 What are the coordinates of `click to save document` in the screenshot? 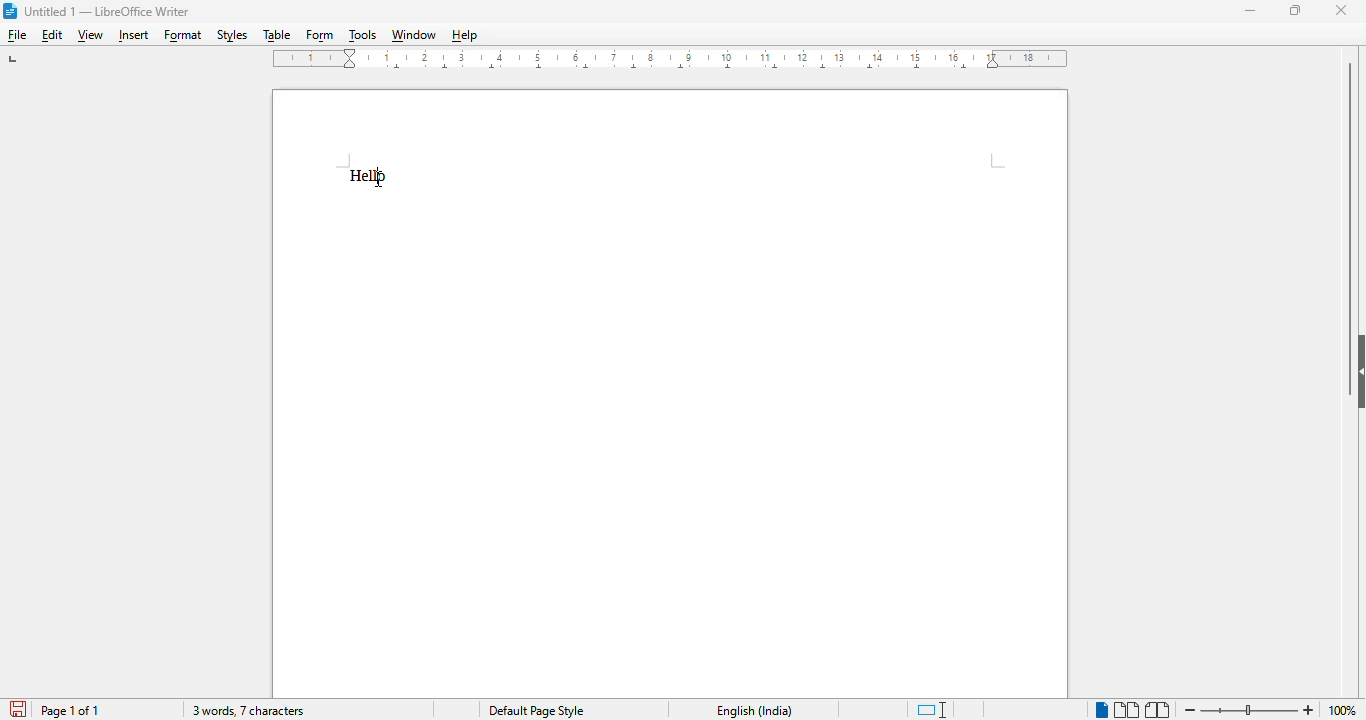 It's located at (20, 710).